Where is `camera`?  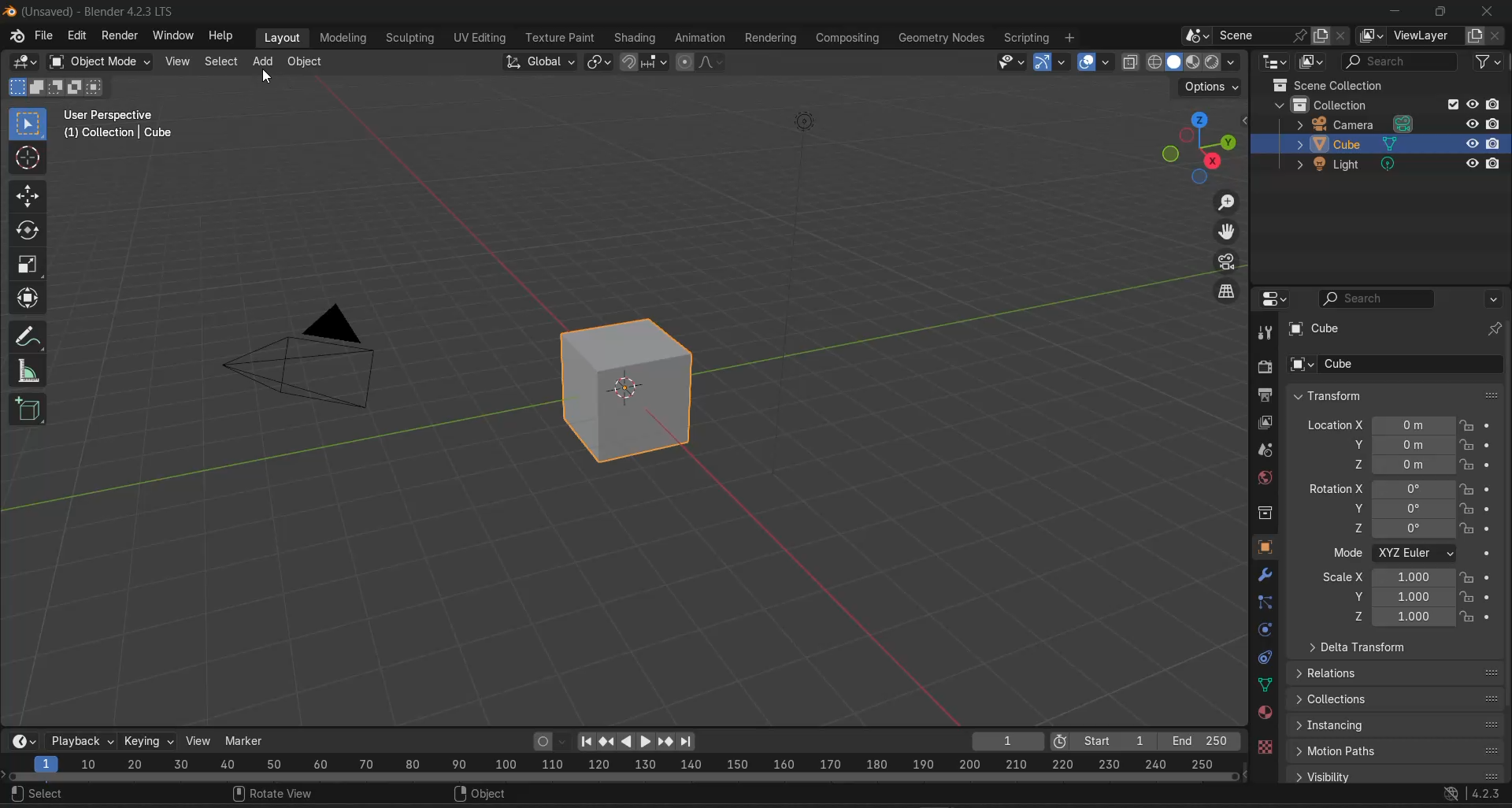
camera is located at coordinates (802, 293).